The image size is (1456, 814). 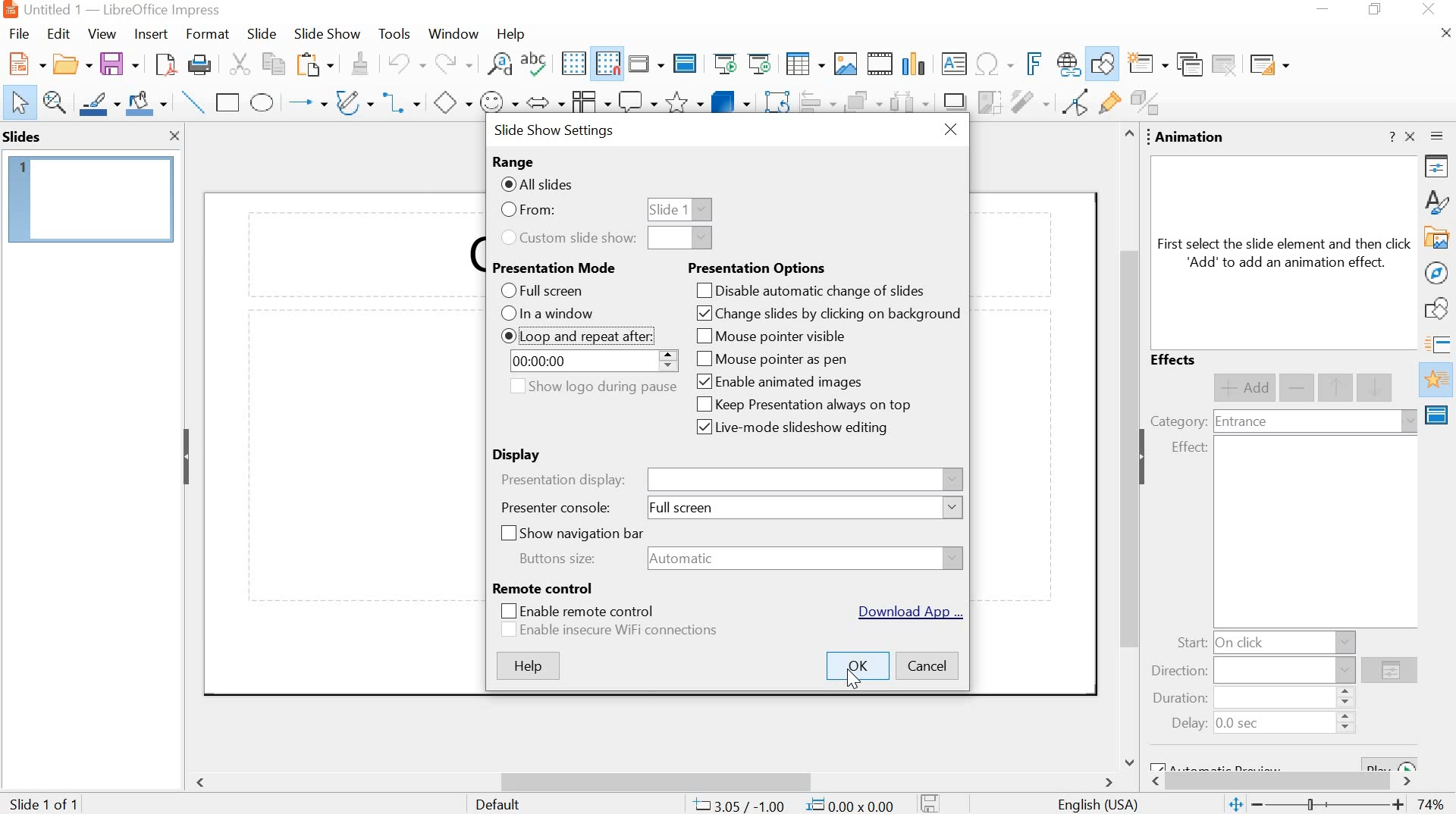 I want to click on duration, so click(x=1176, y=700).